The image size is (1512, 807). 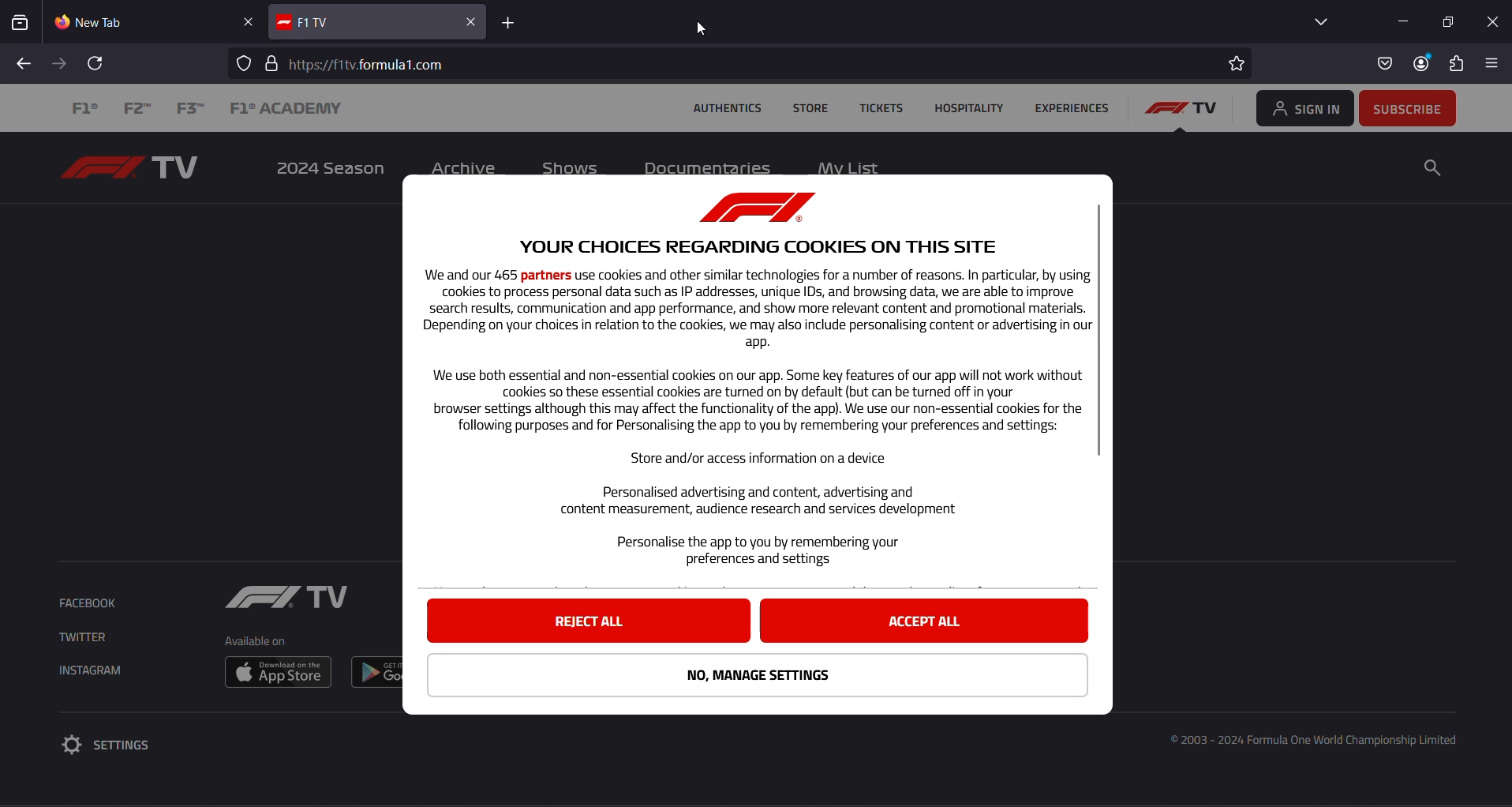 I want to click on experiences, so click(x=1071, y=110).